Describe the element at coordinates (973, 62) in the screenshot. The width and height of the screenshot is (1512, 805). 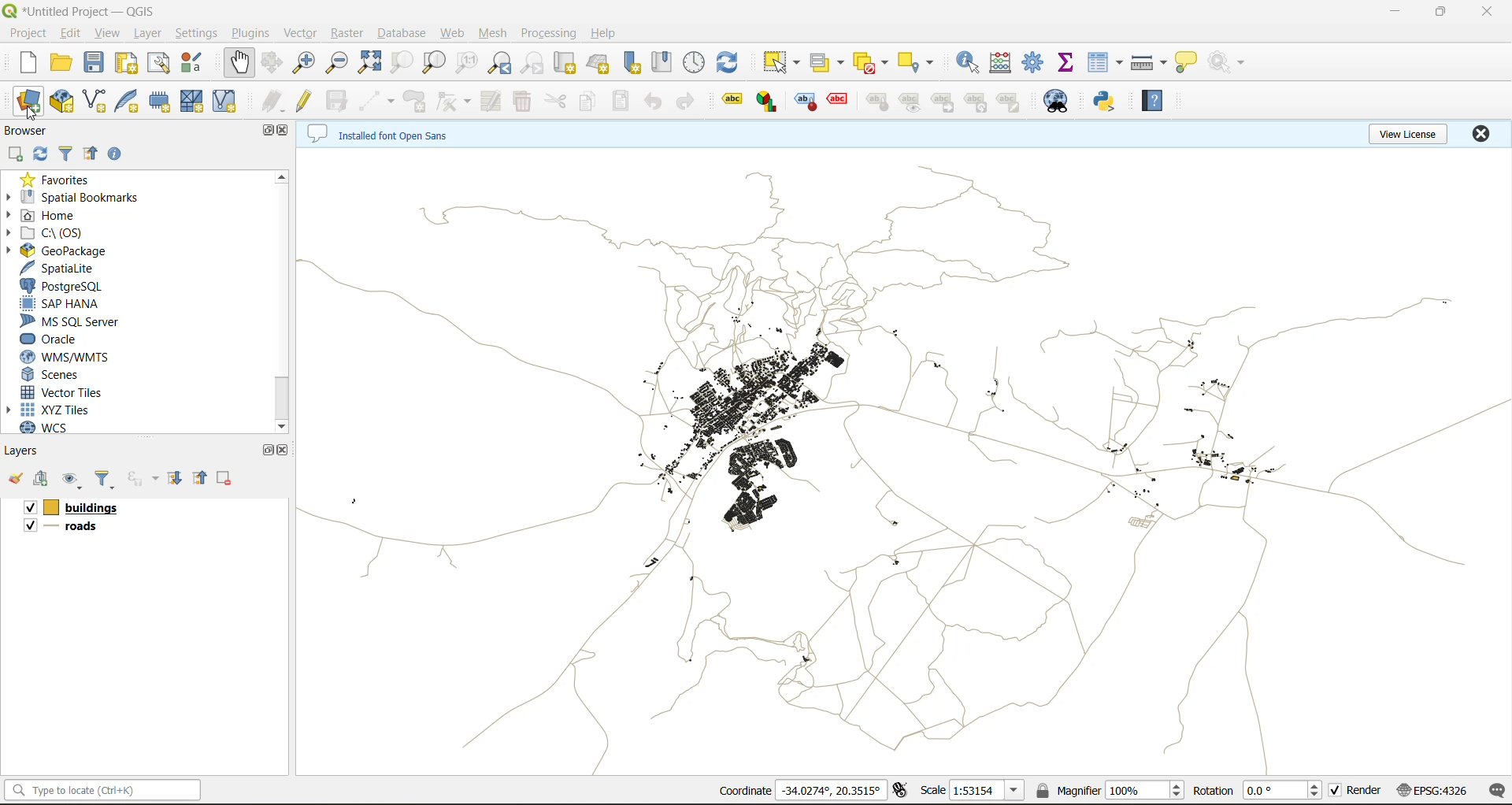
I see `identify features` at that location.